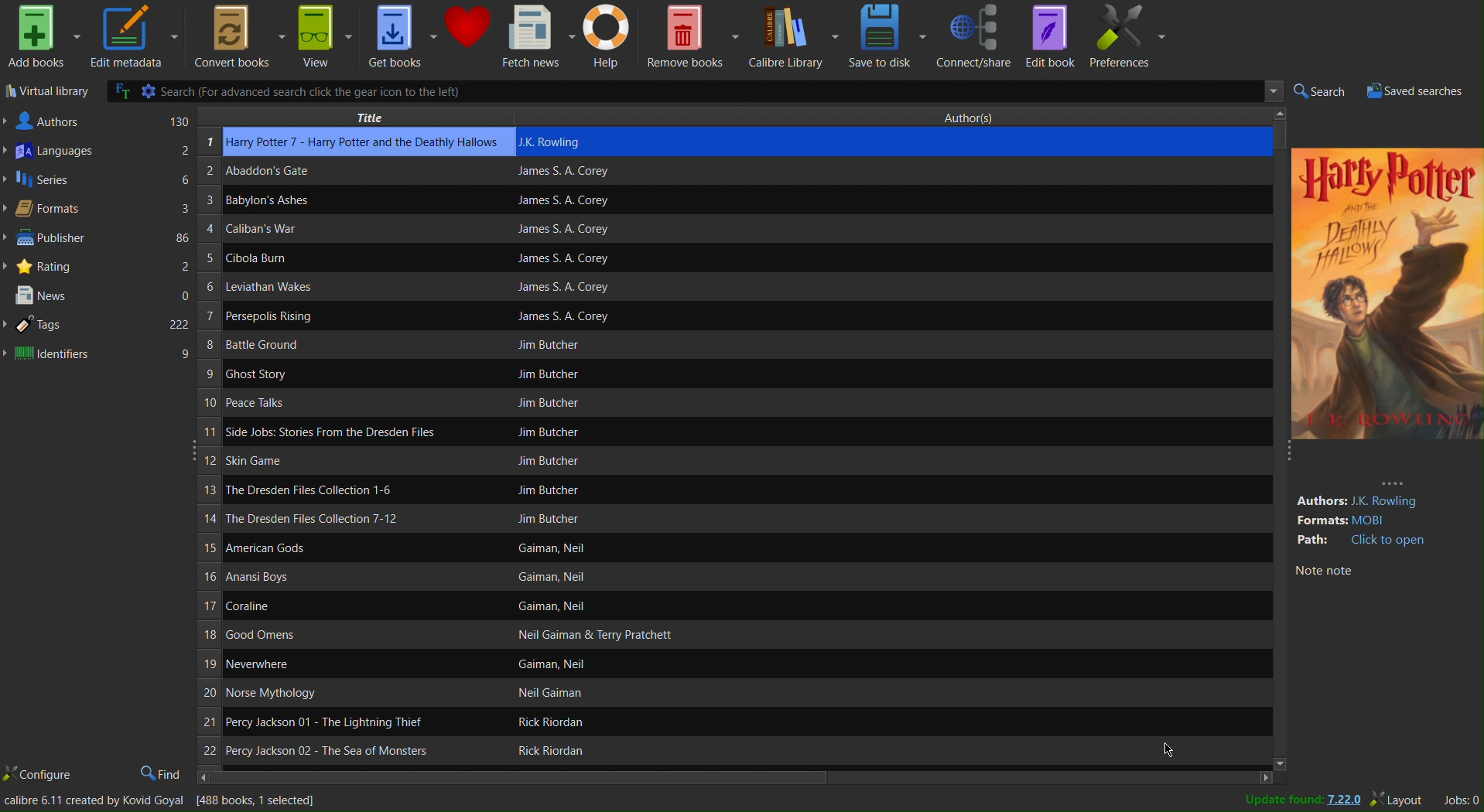 The height and width of the screenshot is (812, 1484). Describe the element at coordinates (721, 518) in the screenshot. I see `Author’s name` at that location.